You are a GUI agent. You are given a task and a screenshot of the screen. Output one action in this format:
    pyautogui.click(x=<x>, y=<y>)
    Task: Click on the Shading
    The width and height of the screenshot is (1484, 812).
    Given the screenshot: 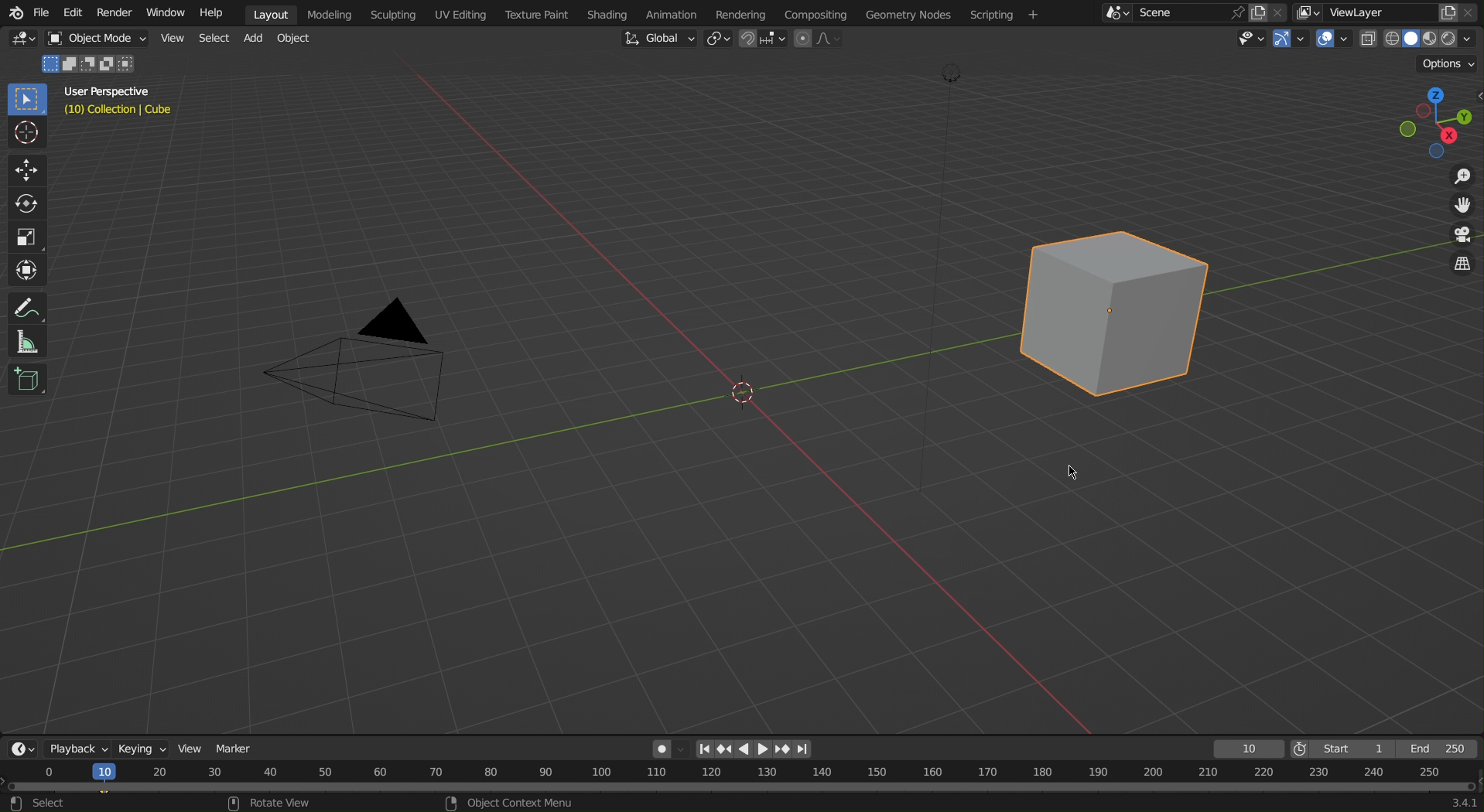 What is the action you would take?
    pyautogui.click(x=615, y=12)
    